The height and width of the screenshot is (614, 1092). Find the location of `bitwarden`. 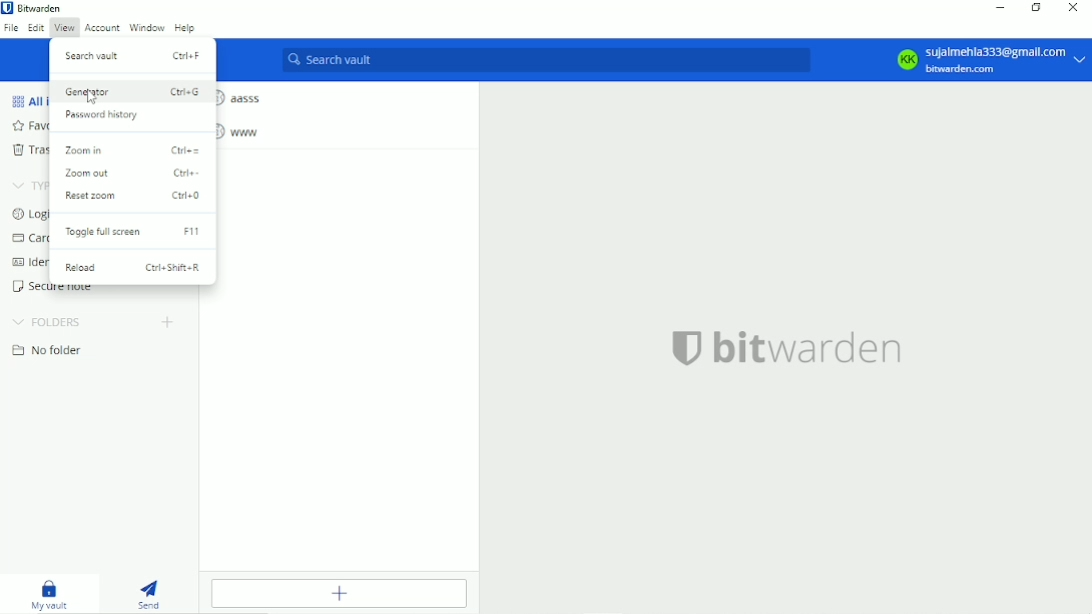

bitwarden is located at coordinates (786, 346).